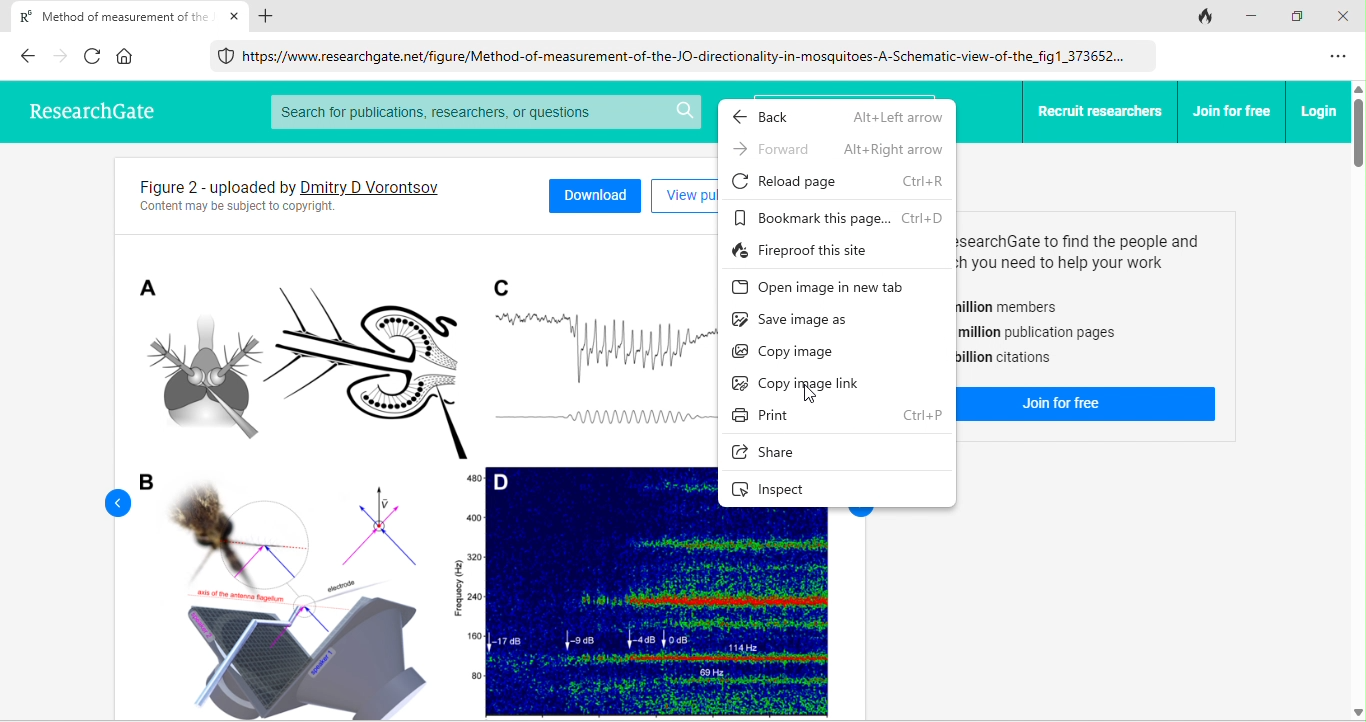  What do you see at coordinates (1319, 111) in the screenshot?
I see `log in` at bounding box center [1319, 111].